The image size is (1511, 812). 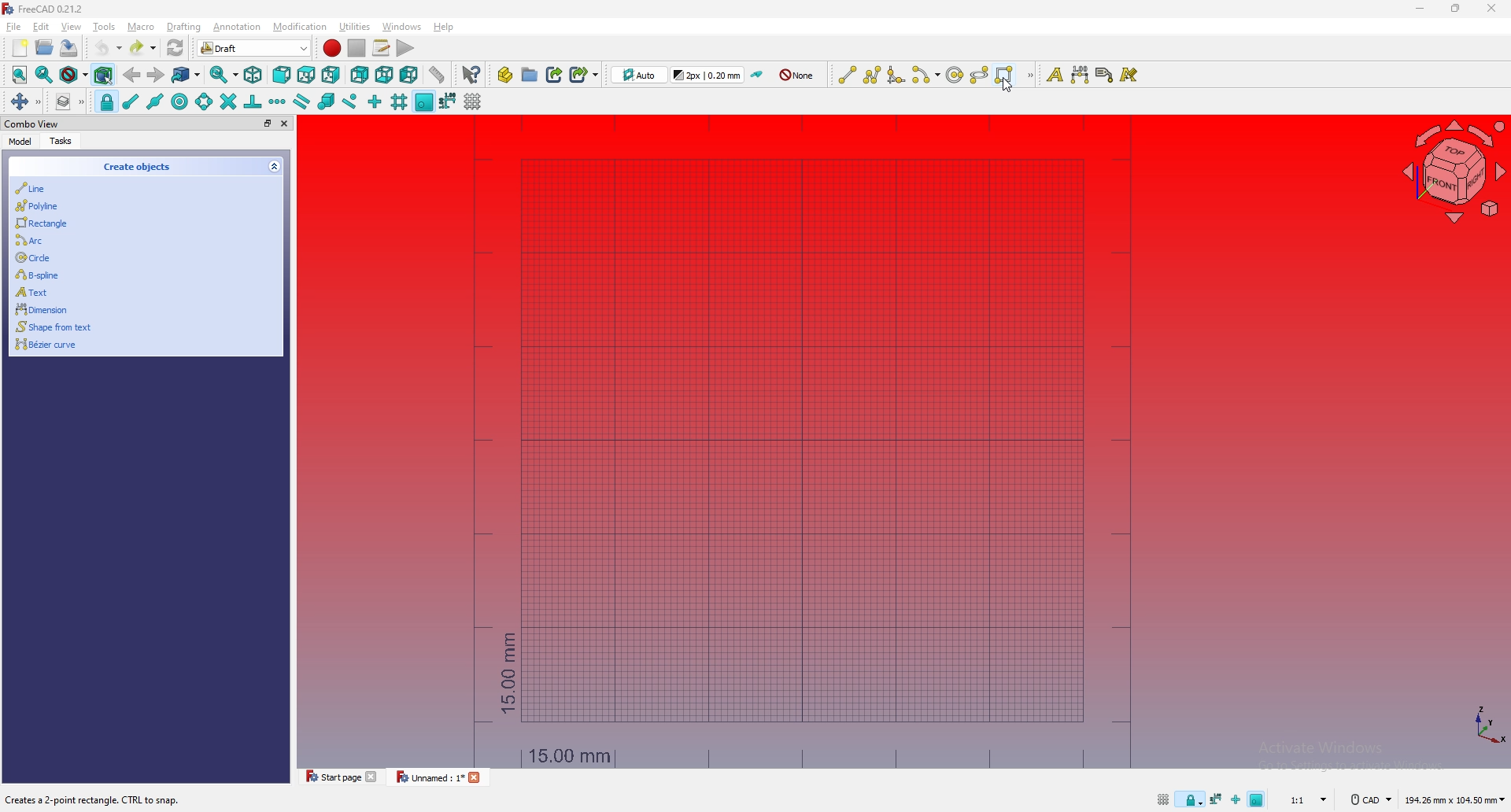 What do you see at coordinates (896, 74) in the screenshot?
I see `fillet` at bounding box center [896, 74].